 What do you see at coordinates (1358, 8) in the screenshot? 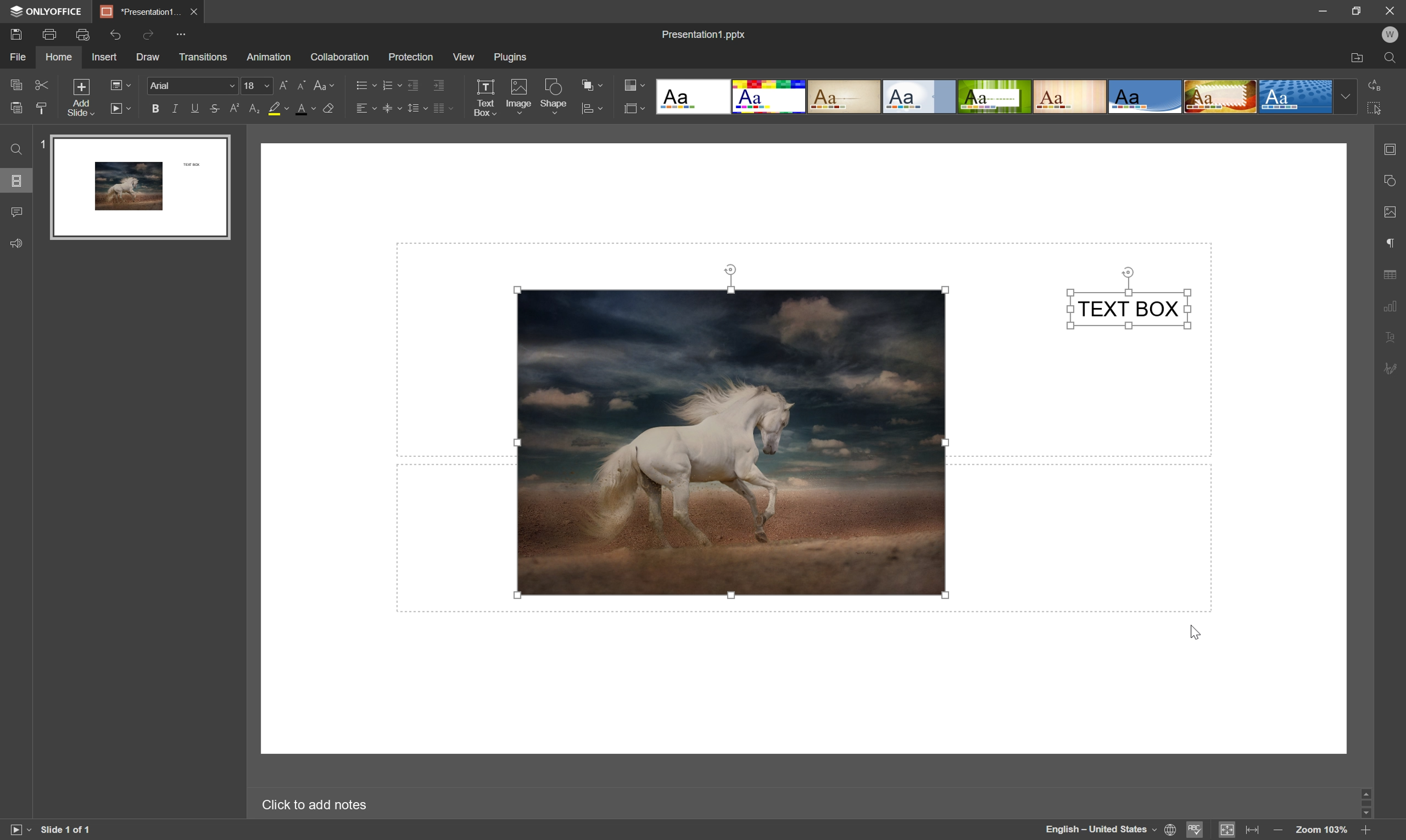
I see `restore down` at bounding box center [1358, 8].